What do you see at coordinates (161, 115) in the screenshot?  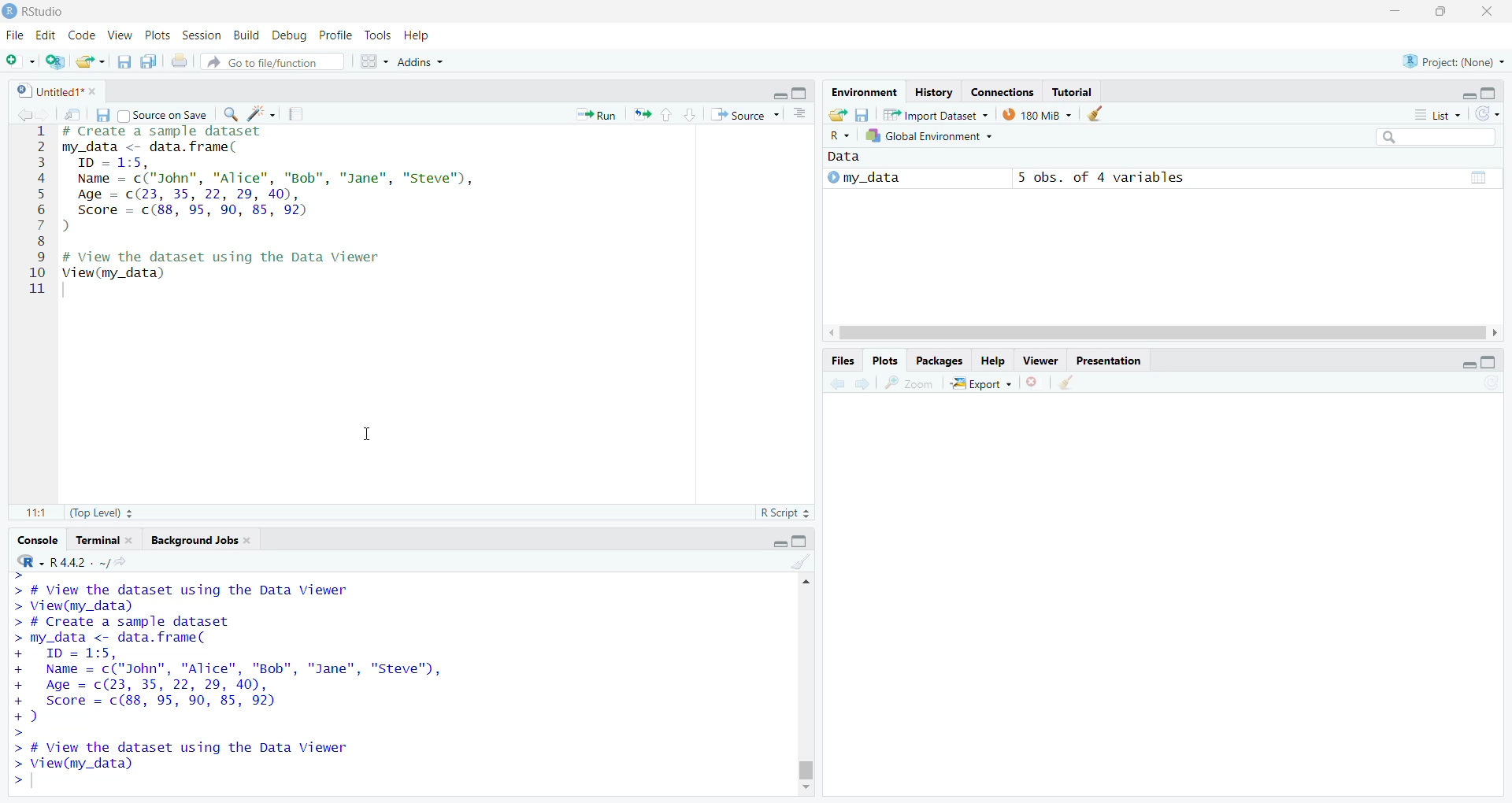 I see `Source on save` at bounding box center [161, 115].